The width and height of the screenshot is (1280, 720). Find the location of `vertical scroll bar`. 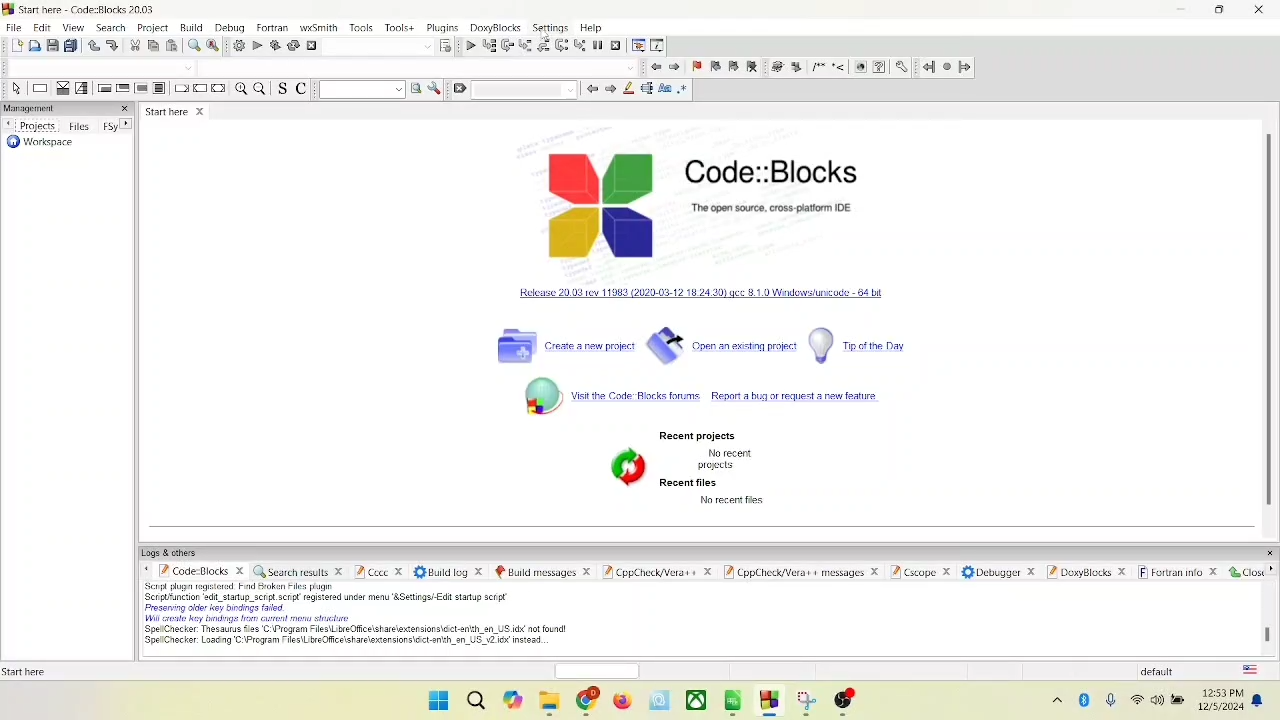

vertical scroll bar is located at coordinates (1265, 317).